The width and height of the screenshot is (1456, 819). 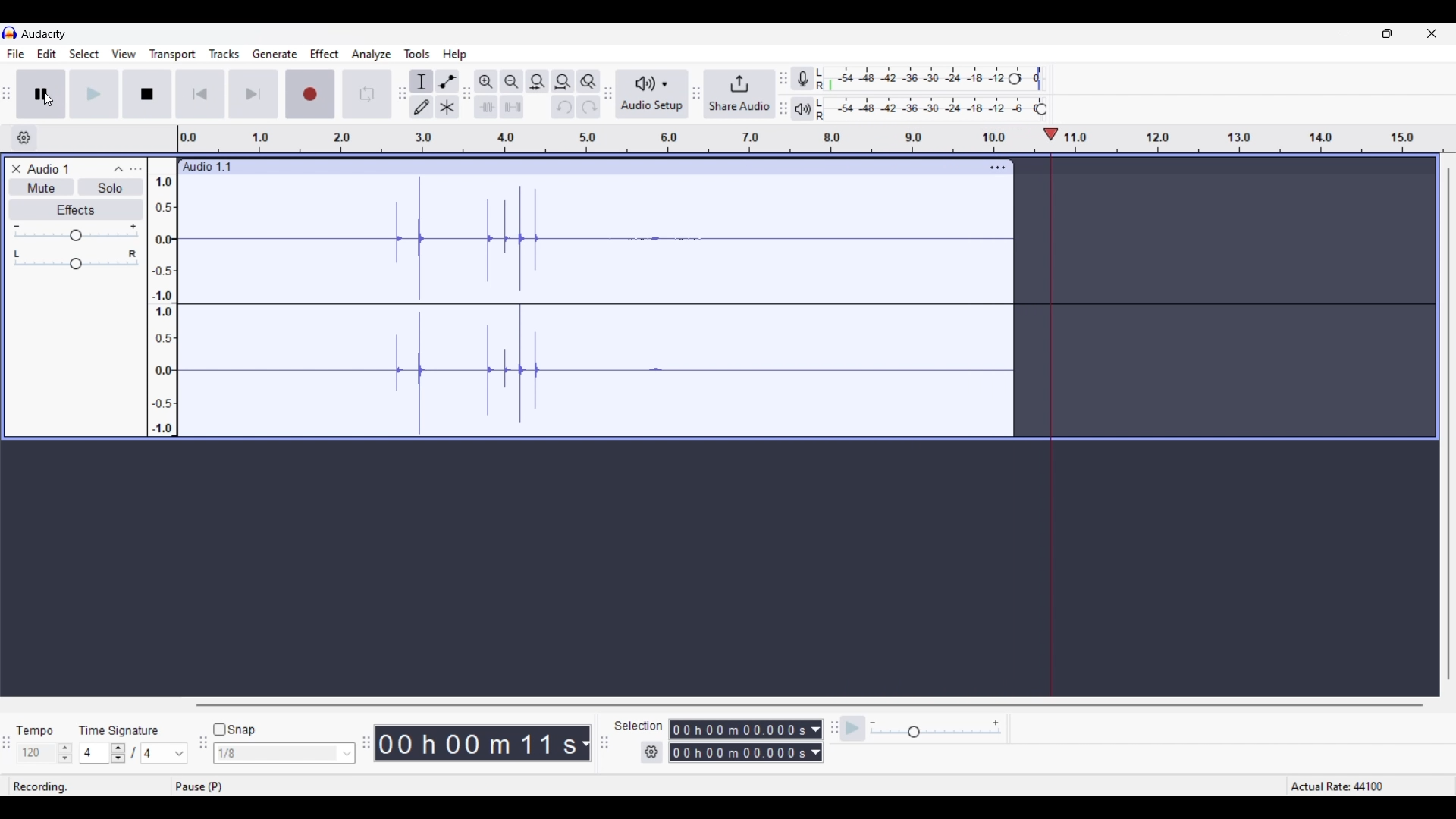 I want to click on 1/8, so click(x=277, y=754).